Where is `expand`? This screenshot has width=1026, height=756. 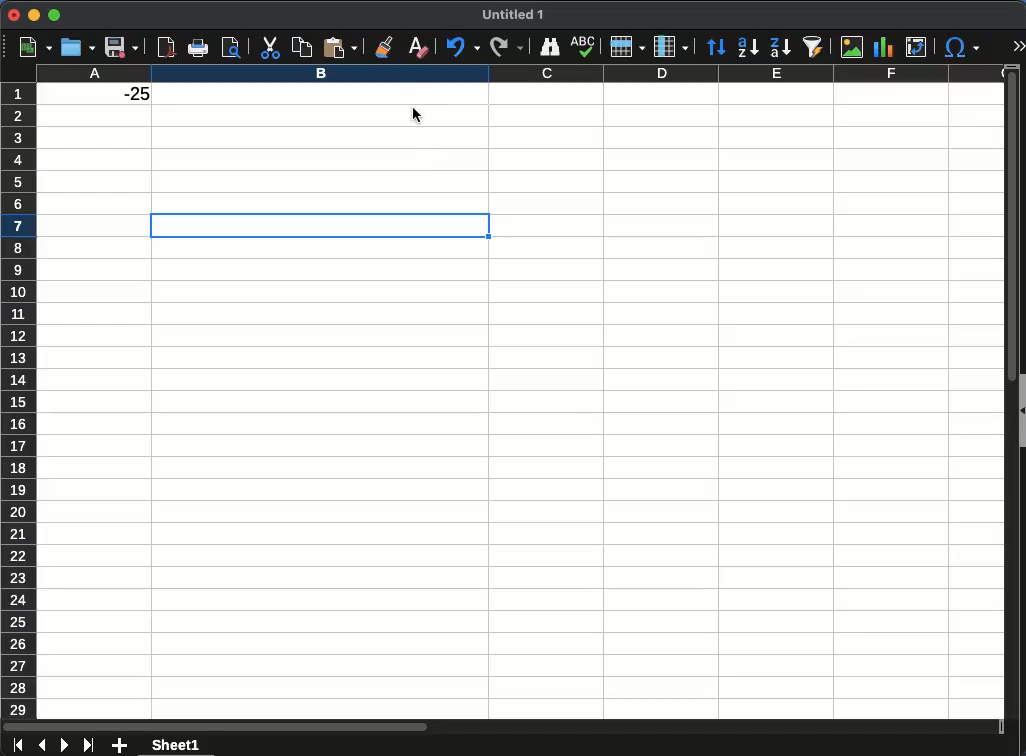
expand is located at coordinates (1018, 45).